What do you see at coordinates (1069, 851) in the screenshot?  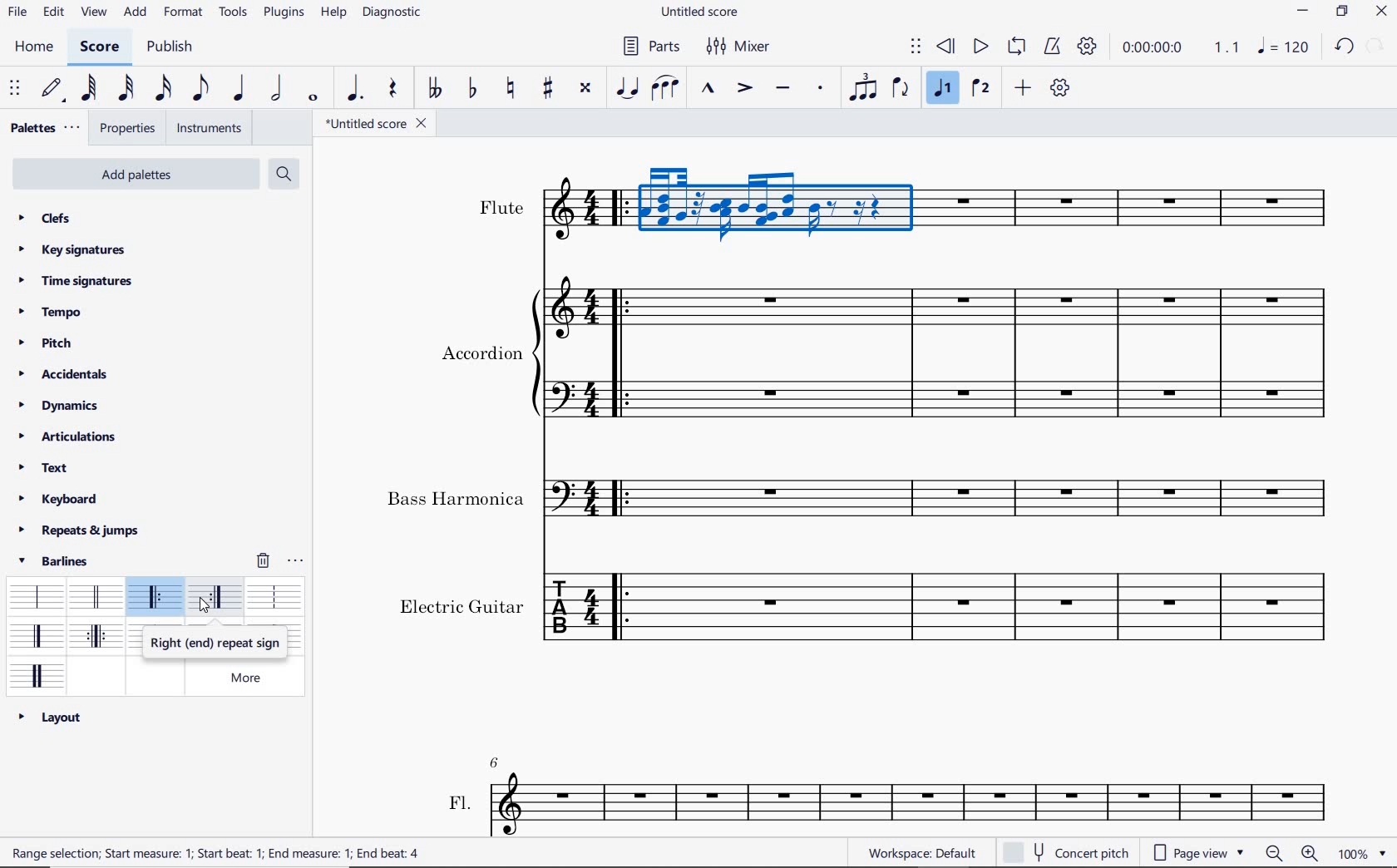 I see `concert pitch` at bounding box center [1069, 851].